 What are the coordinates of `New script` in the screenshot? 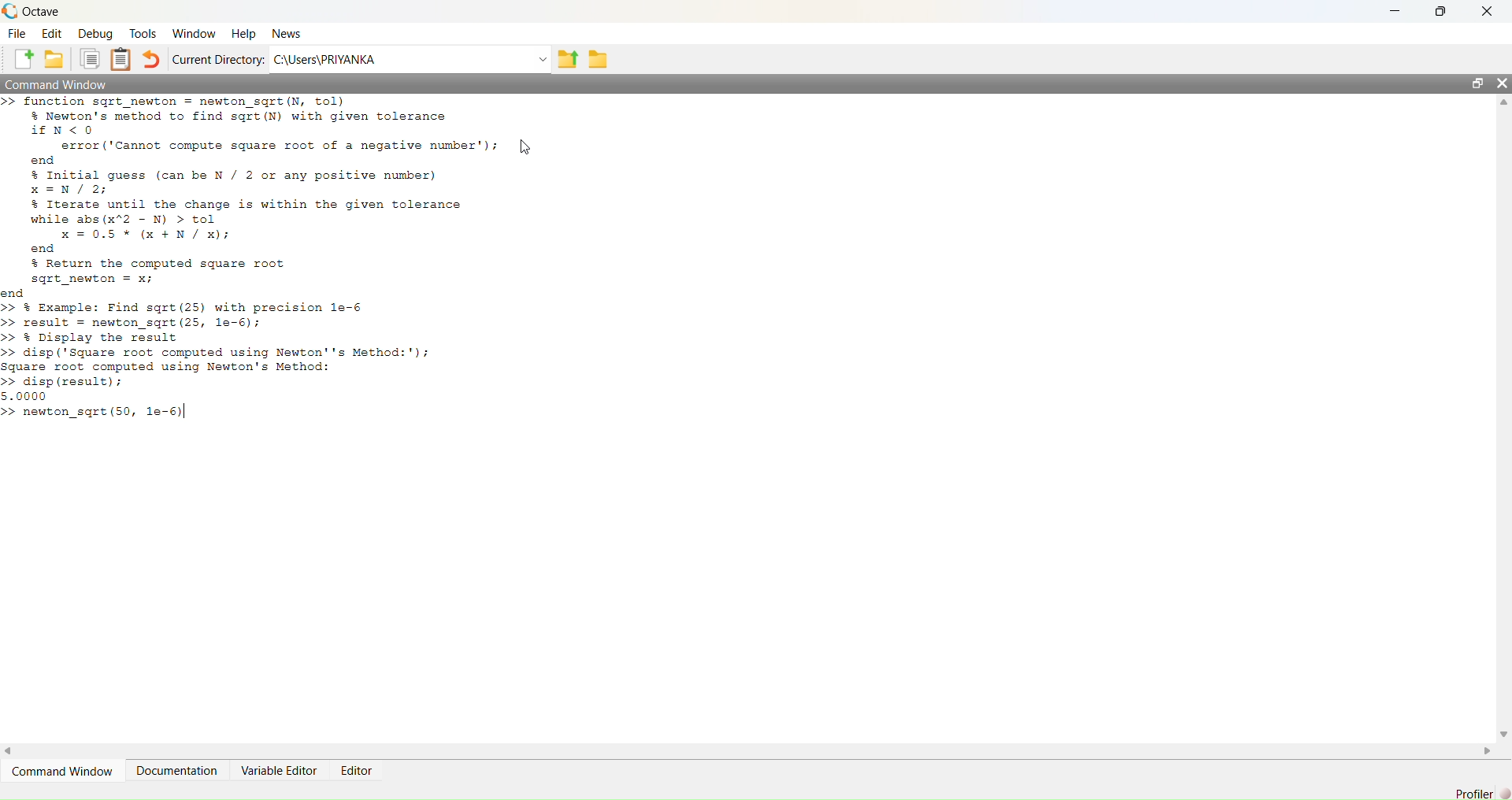 It's located at (24, 59).